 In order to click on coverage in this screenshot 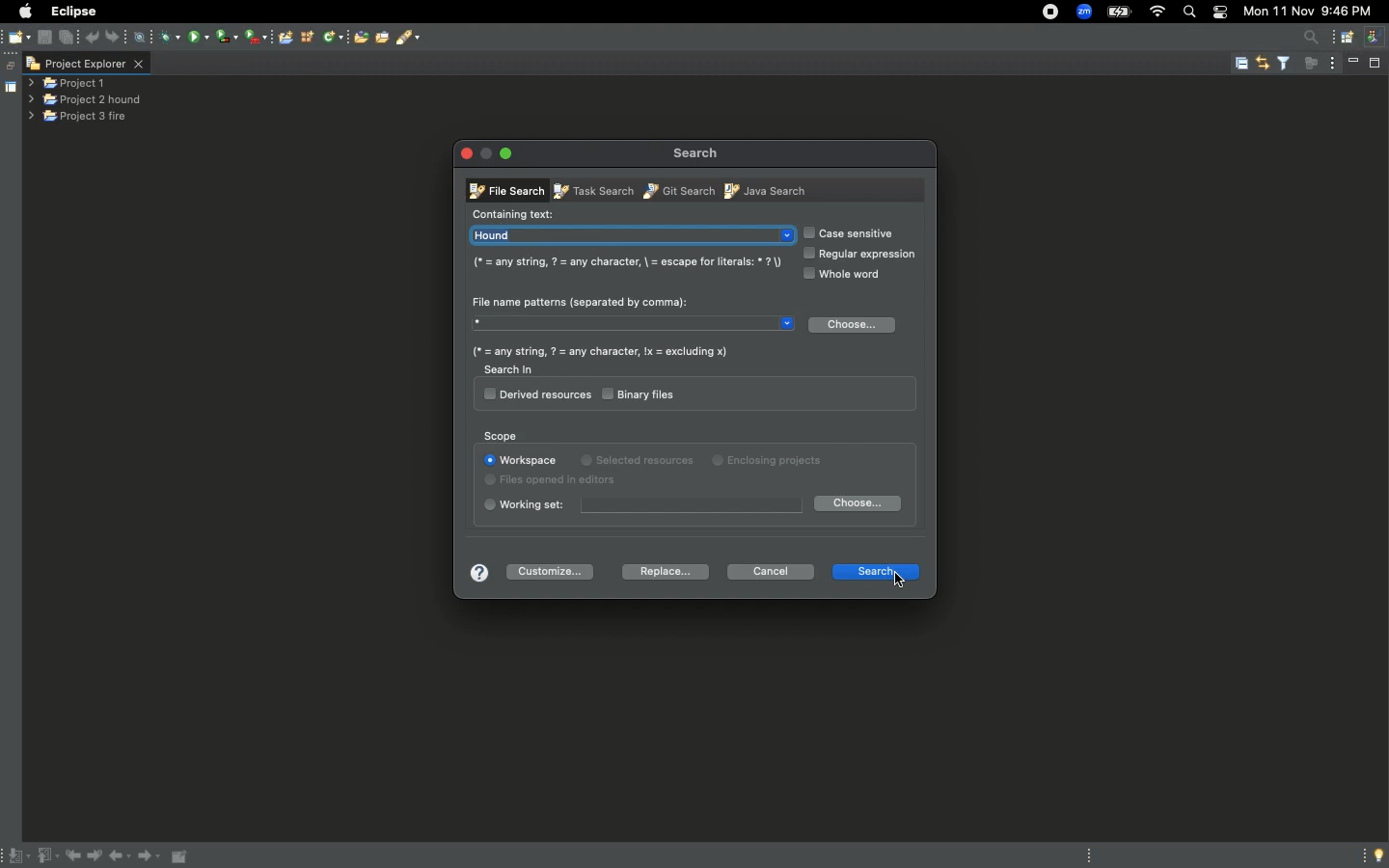, I will do `click(225, 36)`.